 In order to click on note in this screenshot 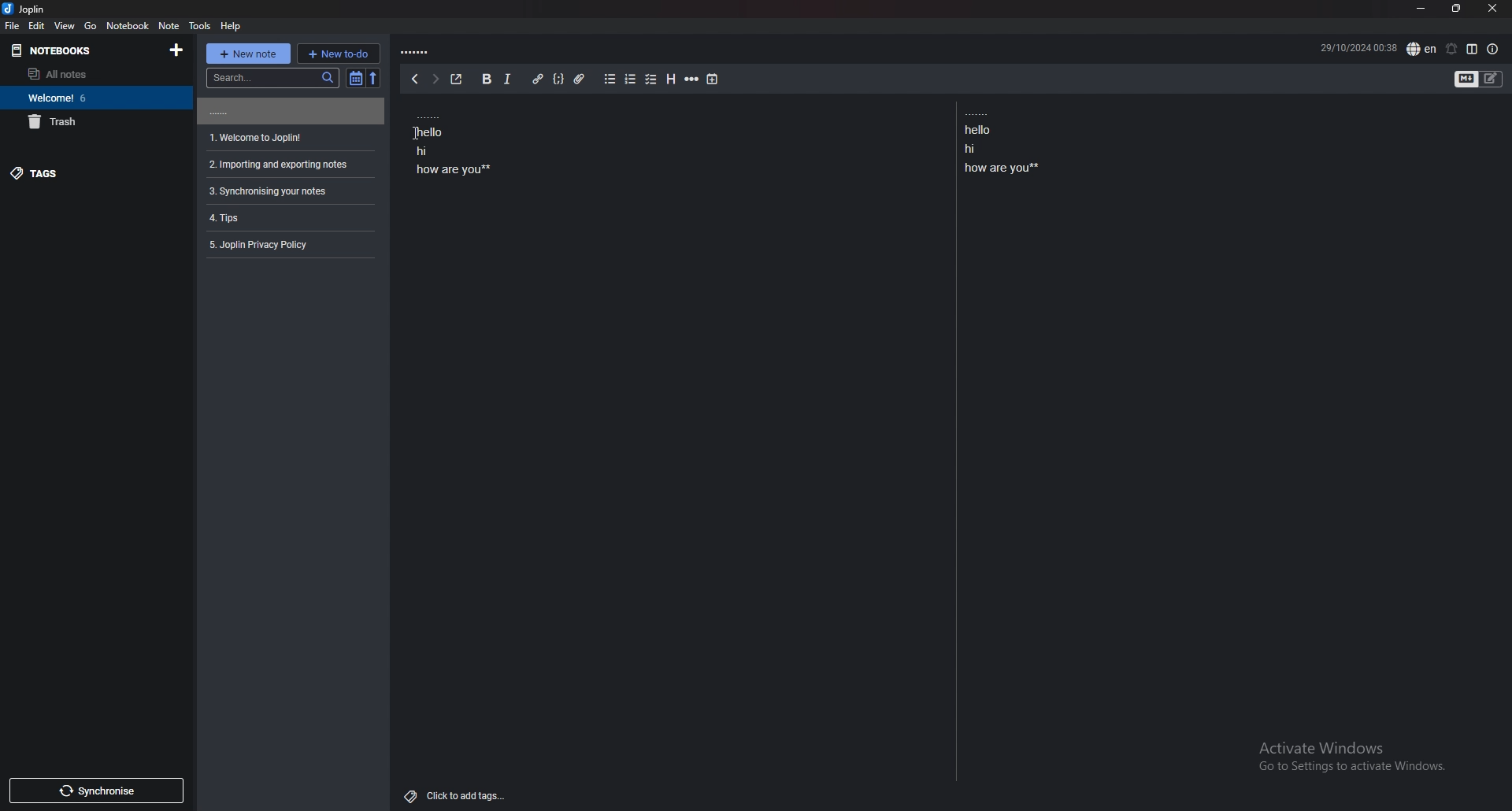, I will do `click(288, 138)`.